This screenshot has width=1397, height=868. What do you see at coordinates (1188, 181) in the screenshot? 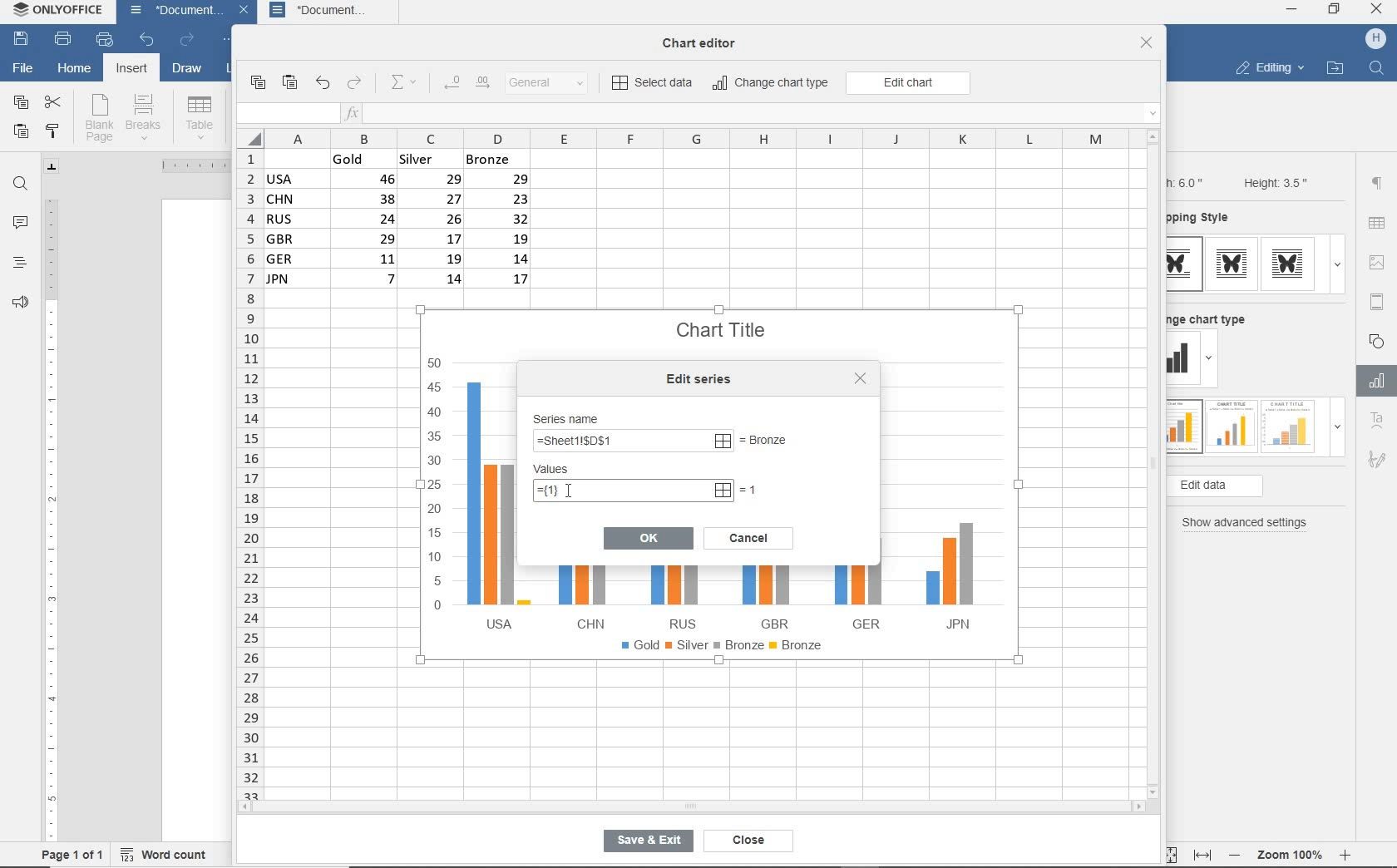
I see `Width: 6.0"` at bounding box center [1188, 181].